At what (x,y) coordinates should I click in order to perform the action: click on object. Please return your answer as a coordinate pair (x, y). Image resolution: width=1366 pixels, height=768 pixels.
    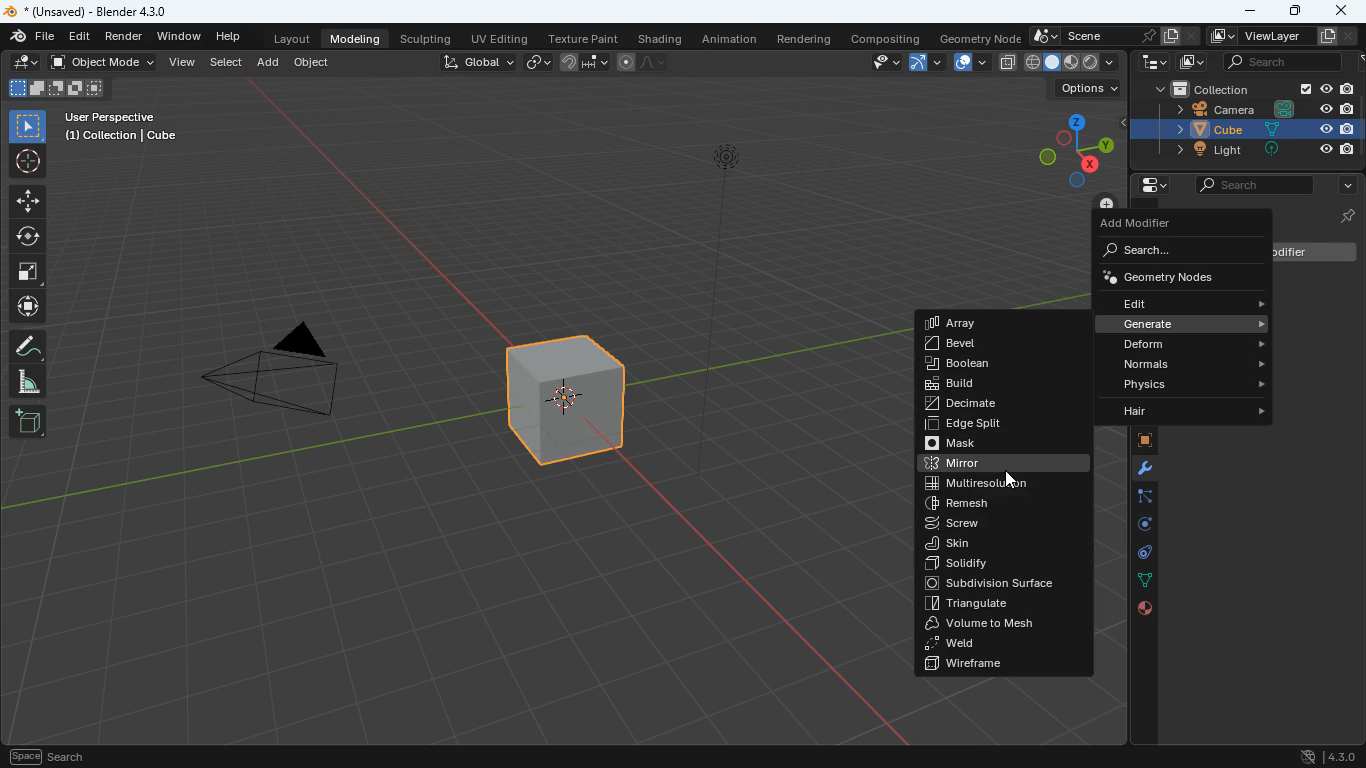
    Looking at the image, I should click on (314, 65).